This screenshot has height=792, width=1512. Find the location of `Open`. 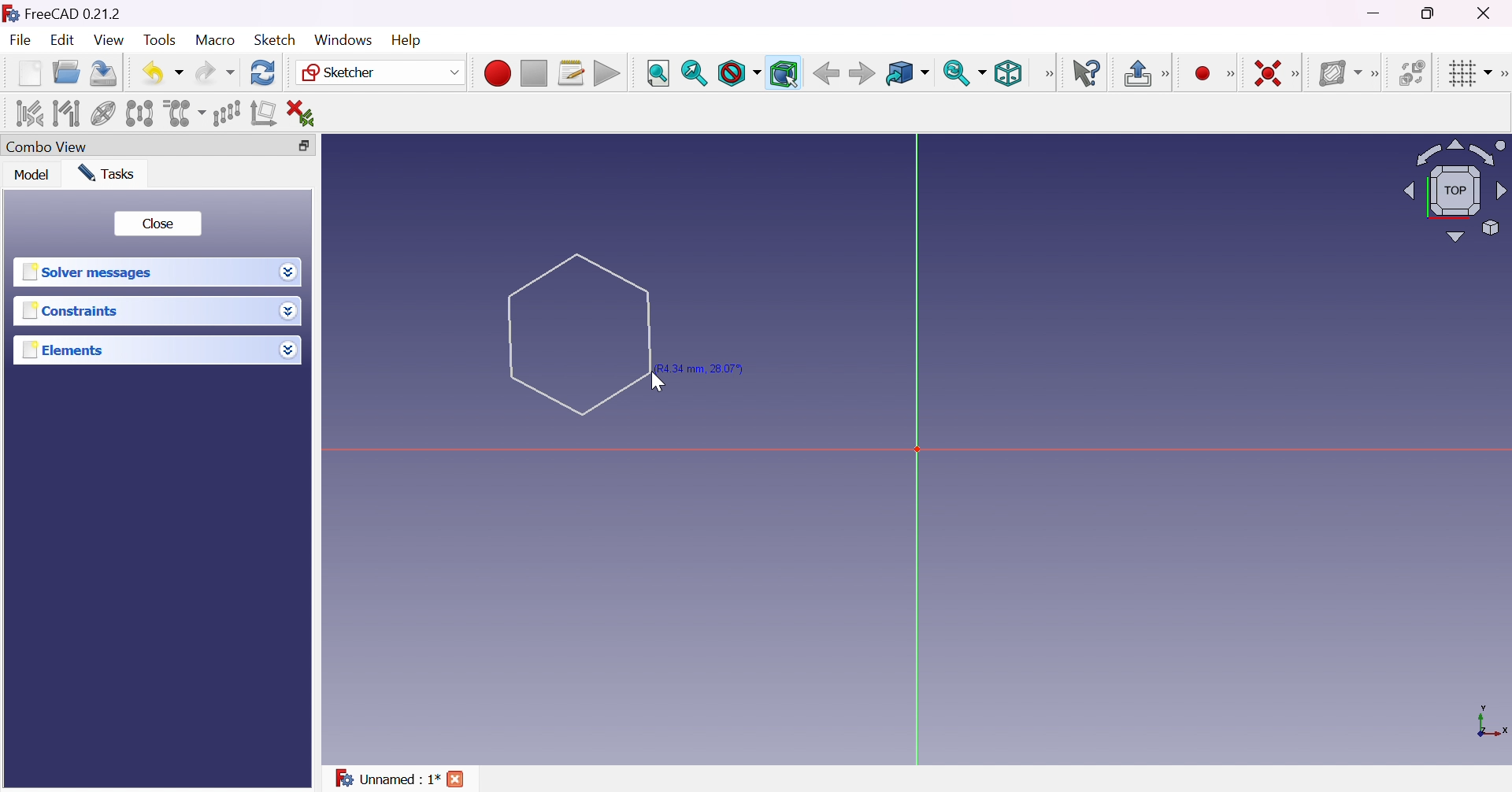

Open is located at coordinates (66, 72).